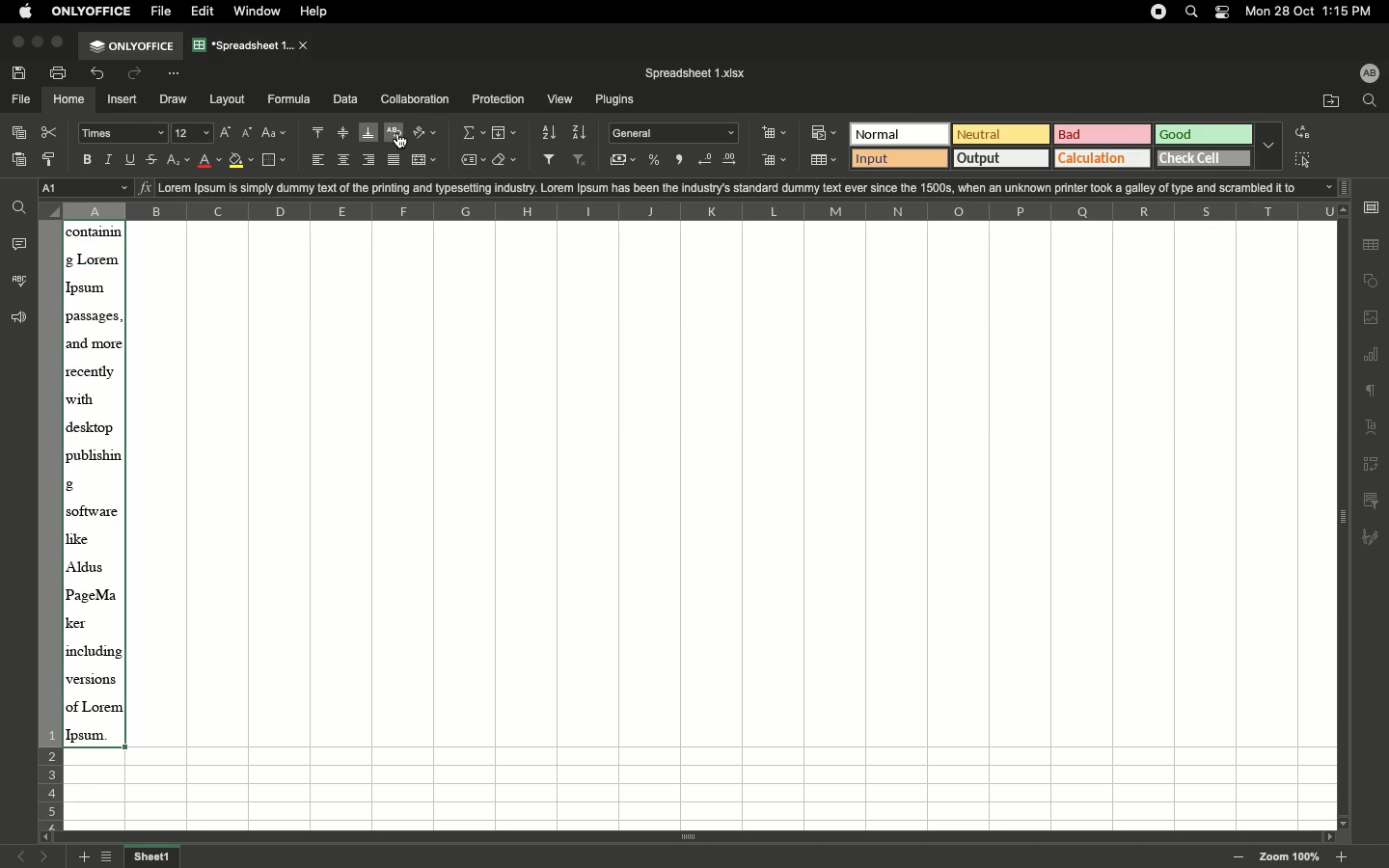  Describe the element at coordinates (277, 160) in the screenshot. I see ` Borders` at that location.